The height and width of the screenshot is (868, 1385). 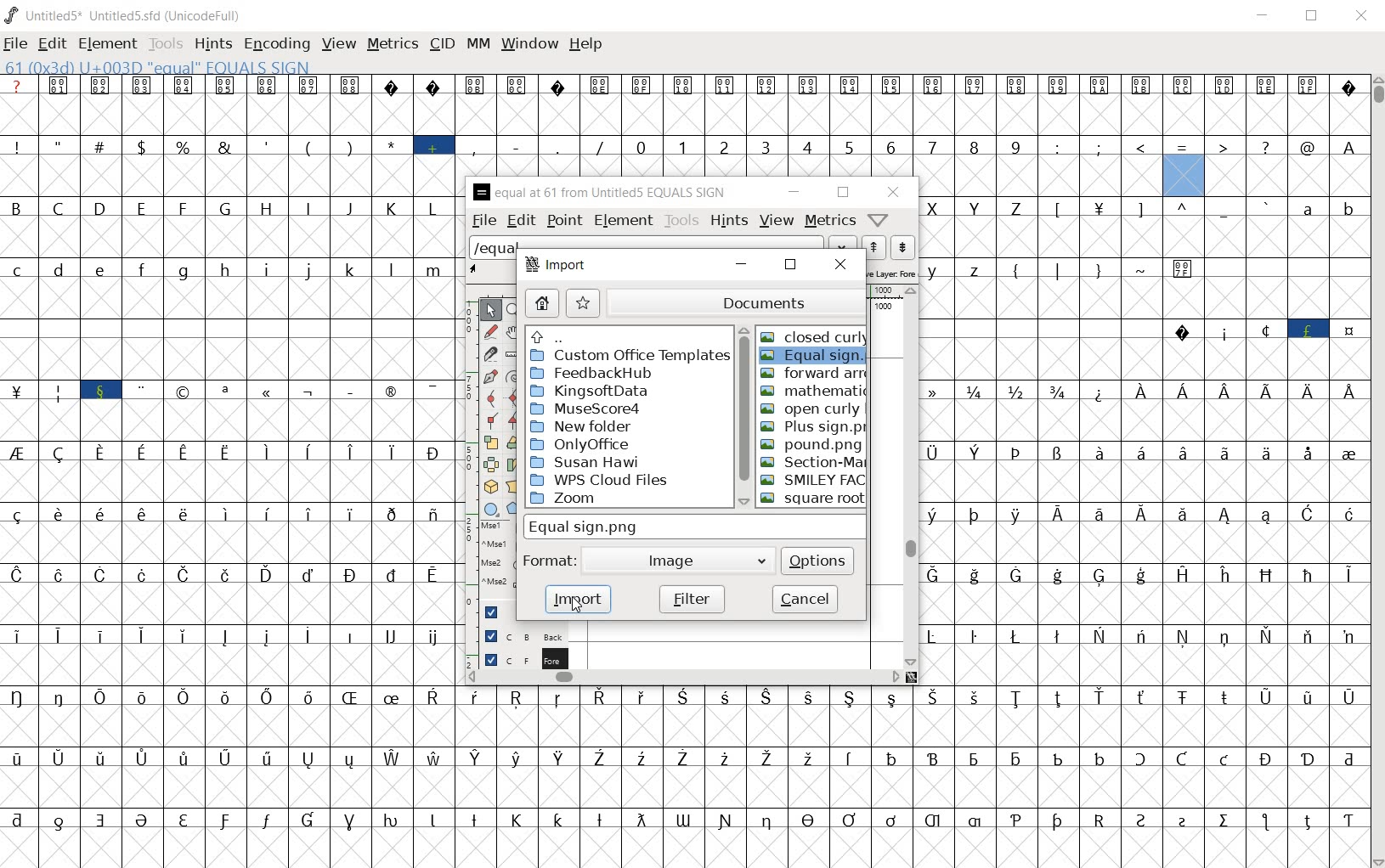 I want to click on encoding, so click(x=274, y=43).